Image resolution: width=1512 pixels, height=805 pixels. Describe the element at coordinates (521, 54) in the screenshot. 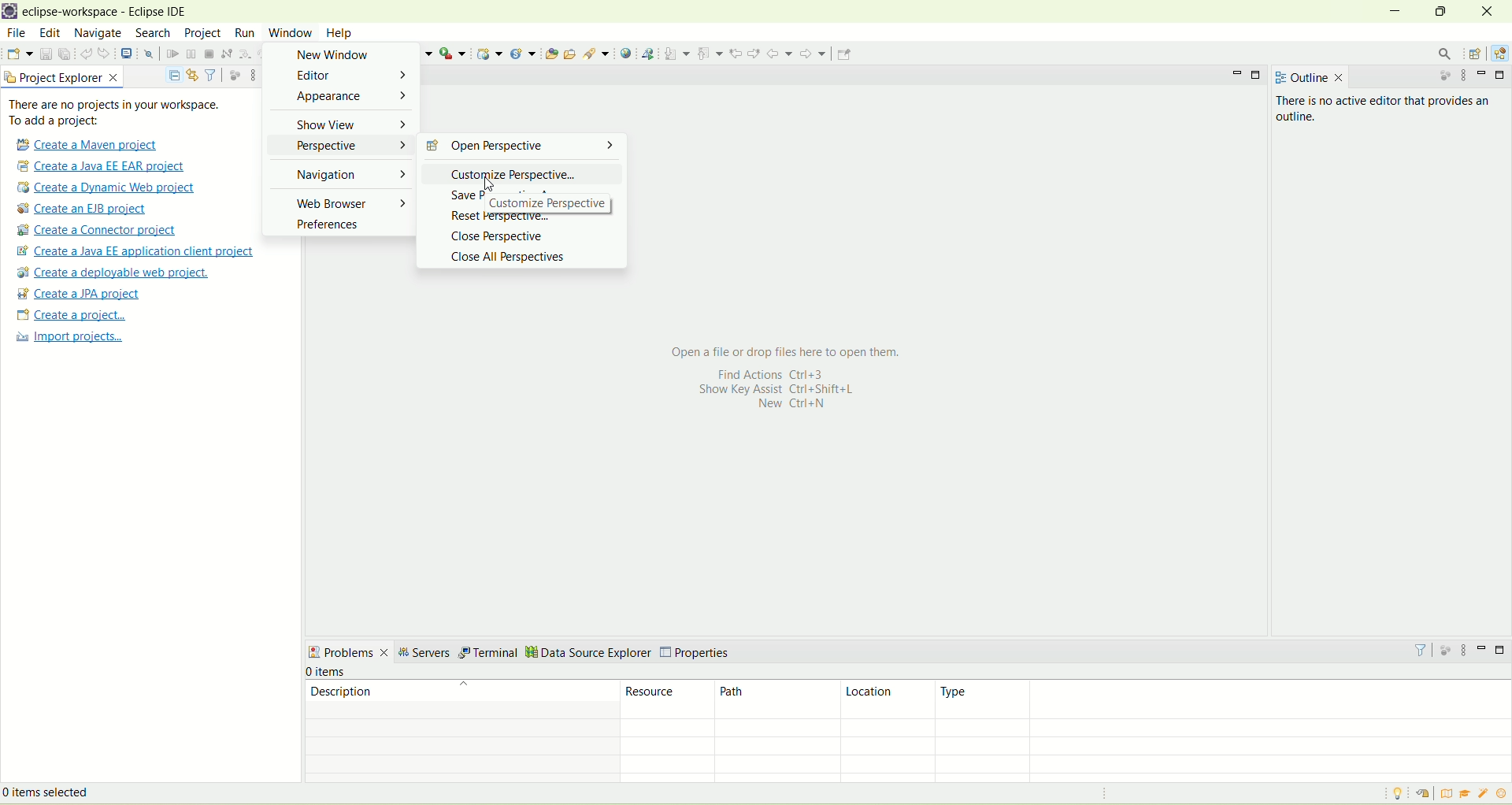

I see `create a new java servlet` at that location.